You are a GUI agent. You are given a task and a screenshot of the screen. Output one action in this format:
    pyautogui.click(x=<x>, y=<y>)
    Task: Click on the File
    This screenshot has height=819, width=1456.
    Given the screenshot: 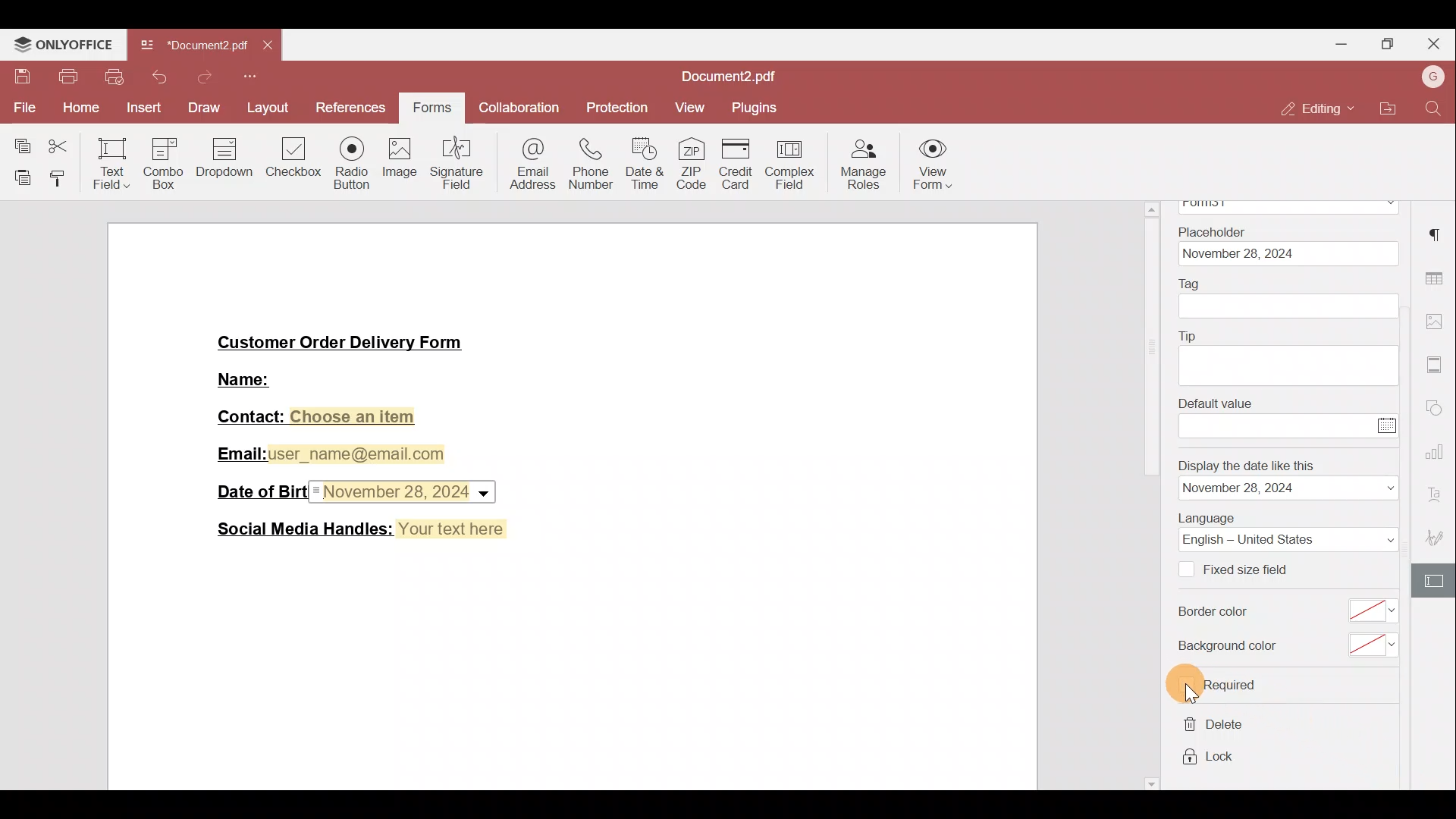 What is the action you would take?
    pyautogui.click(x=21, y=106)
    